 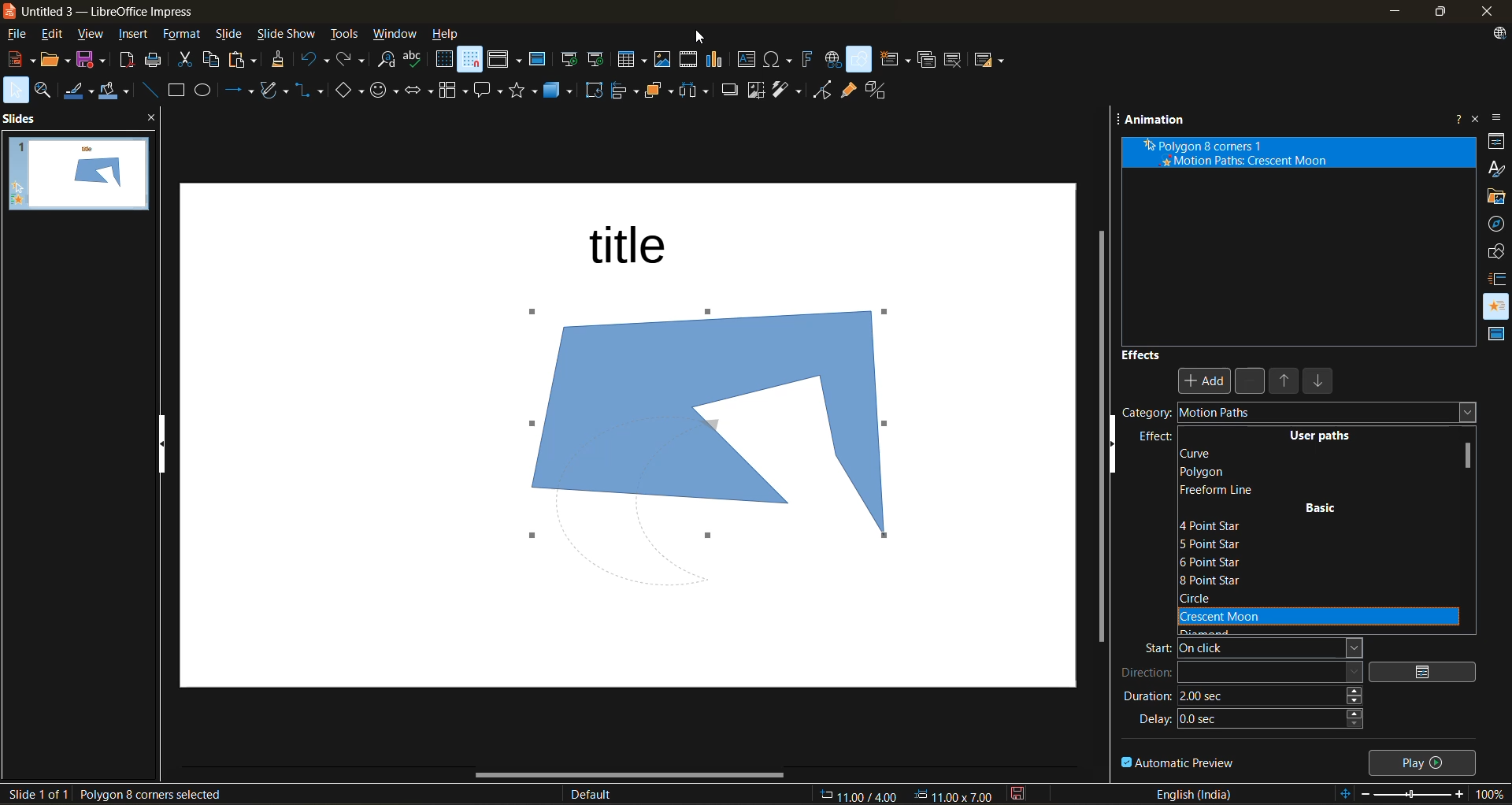 I want to click on paste, so click(x=244, y=59).